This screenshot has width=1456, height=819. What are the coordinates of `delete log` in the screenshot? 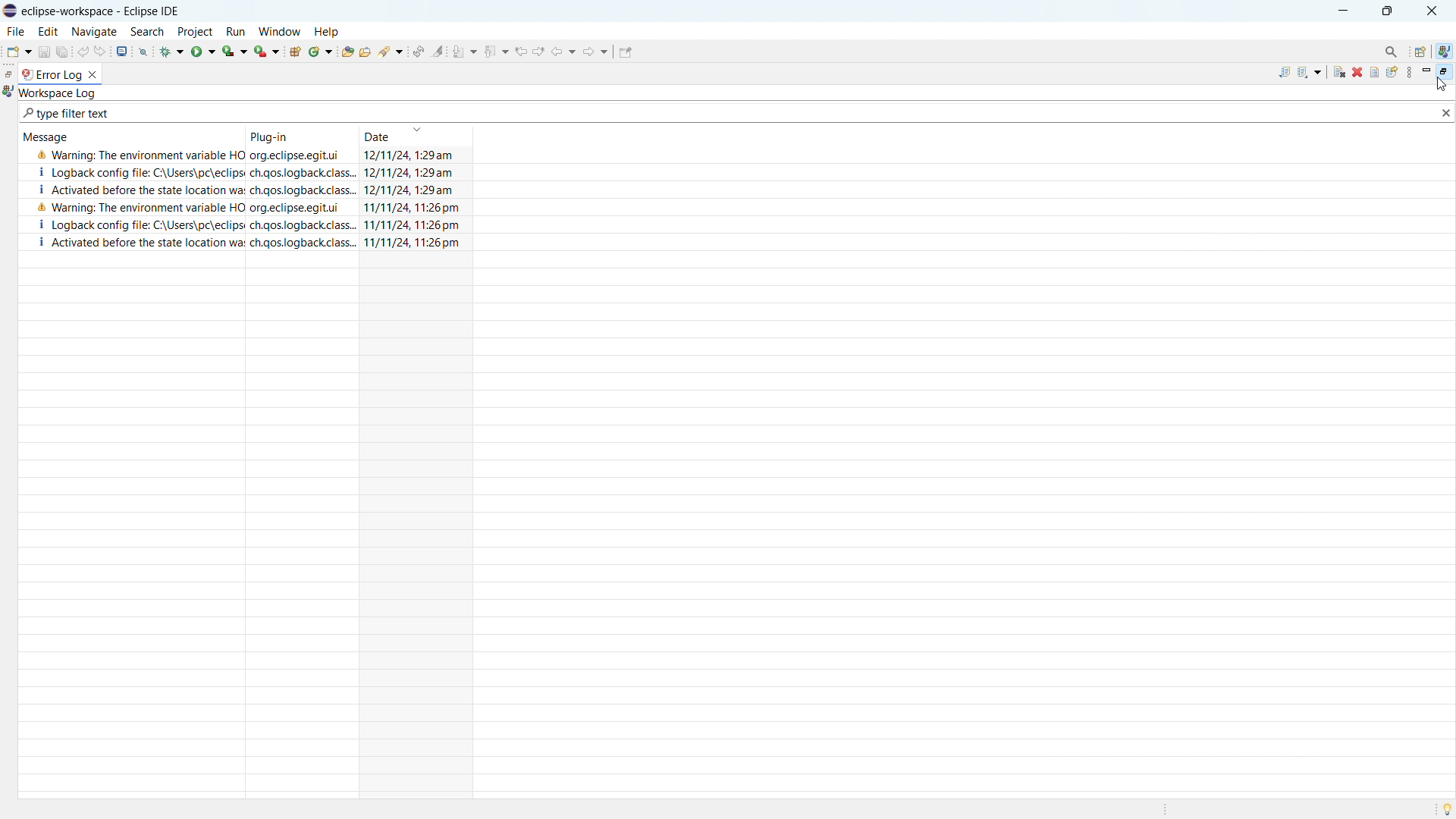 It's located at (1357, 72).